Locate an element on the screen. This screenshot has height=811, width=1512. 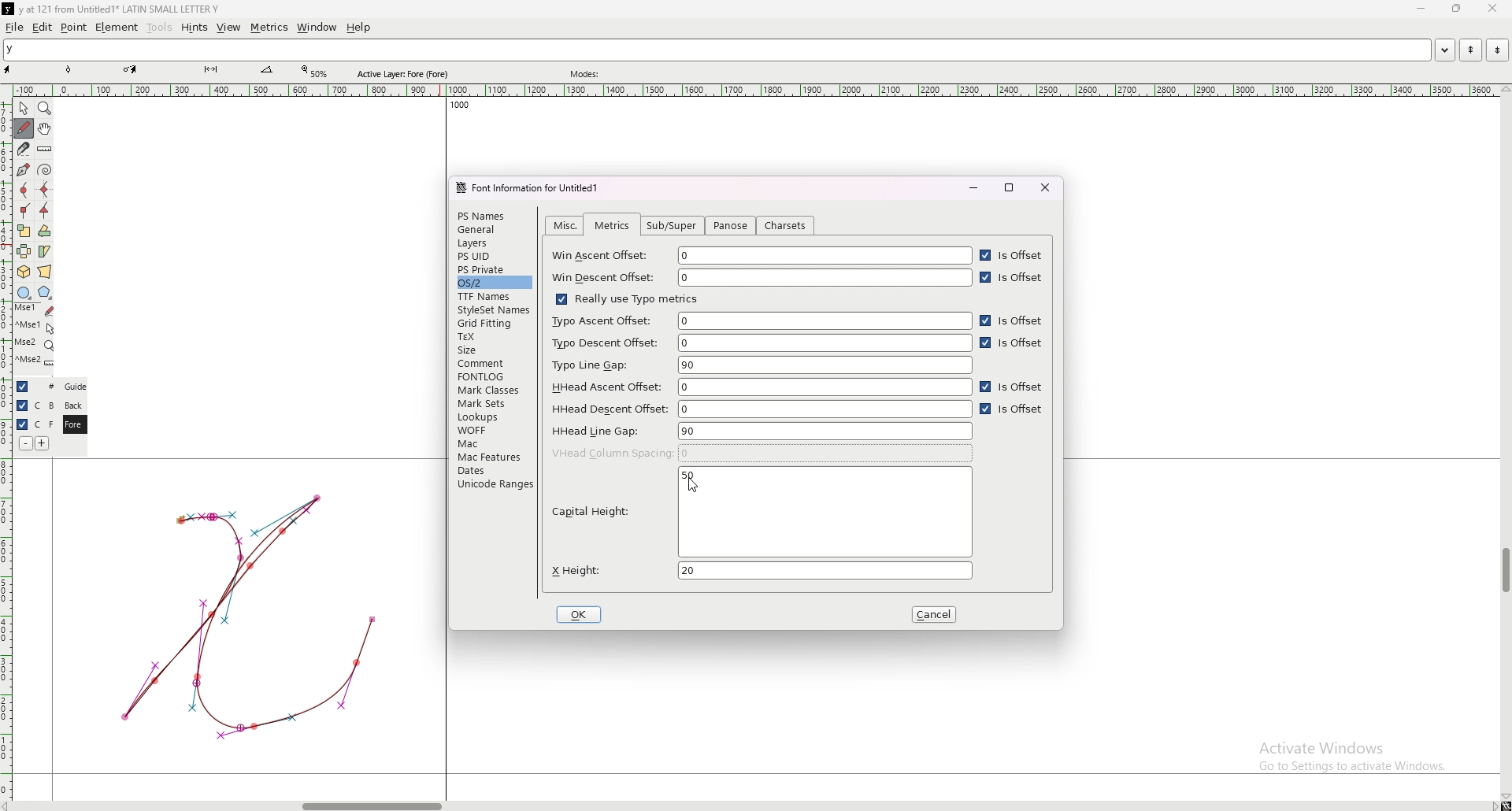
remove layer is located at coordinates (25, 443).